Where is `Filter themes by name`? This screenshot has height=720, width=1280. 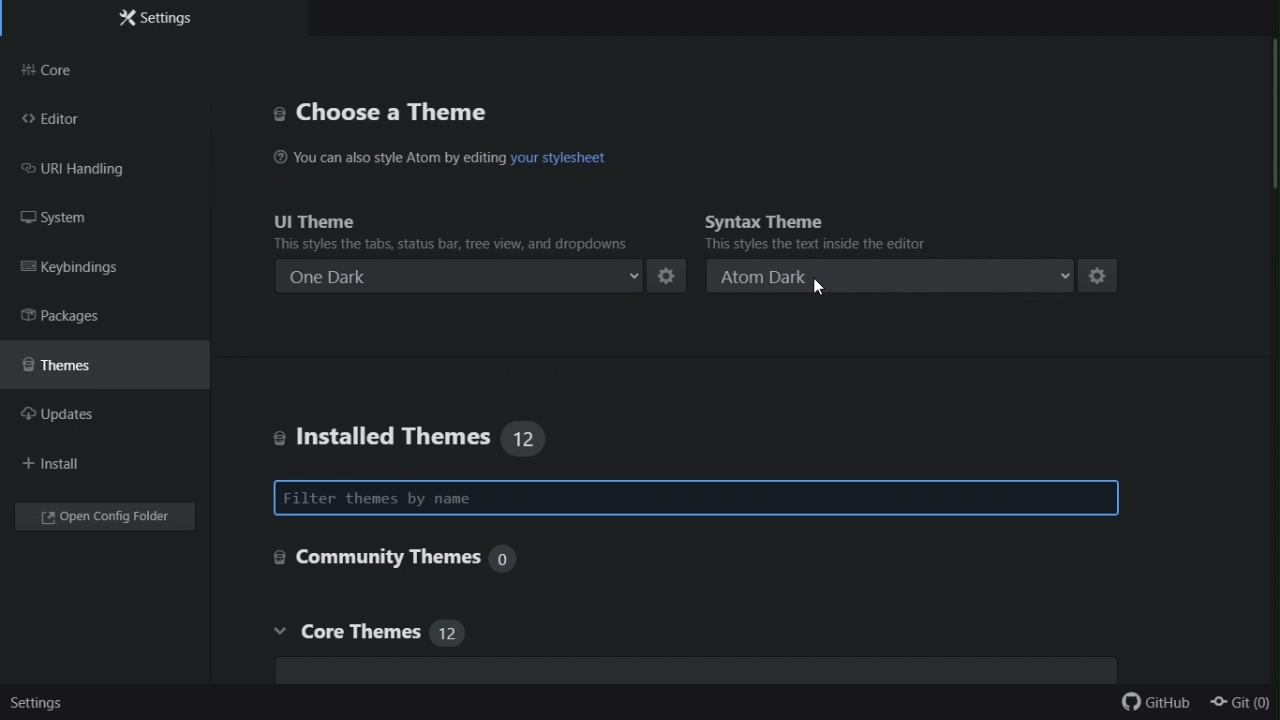 Filter themes by name is located at coordinates (695, 495).